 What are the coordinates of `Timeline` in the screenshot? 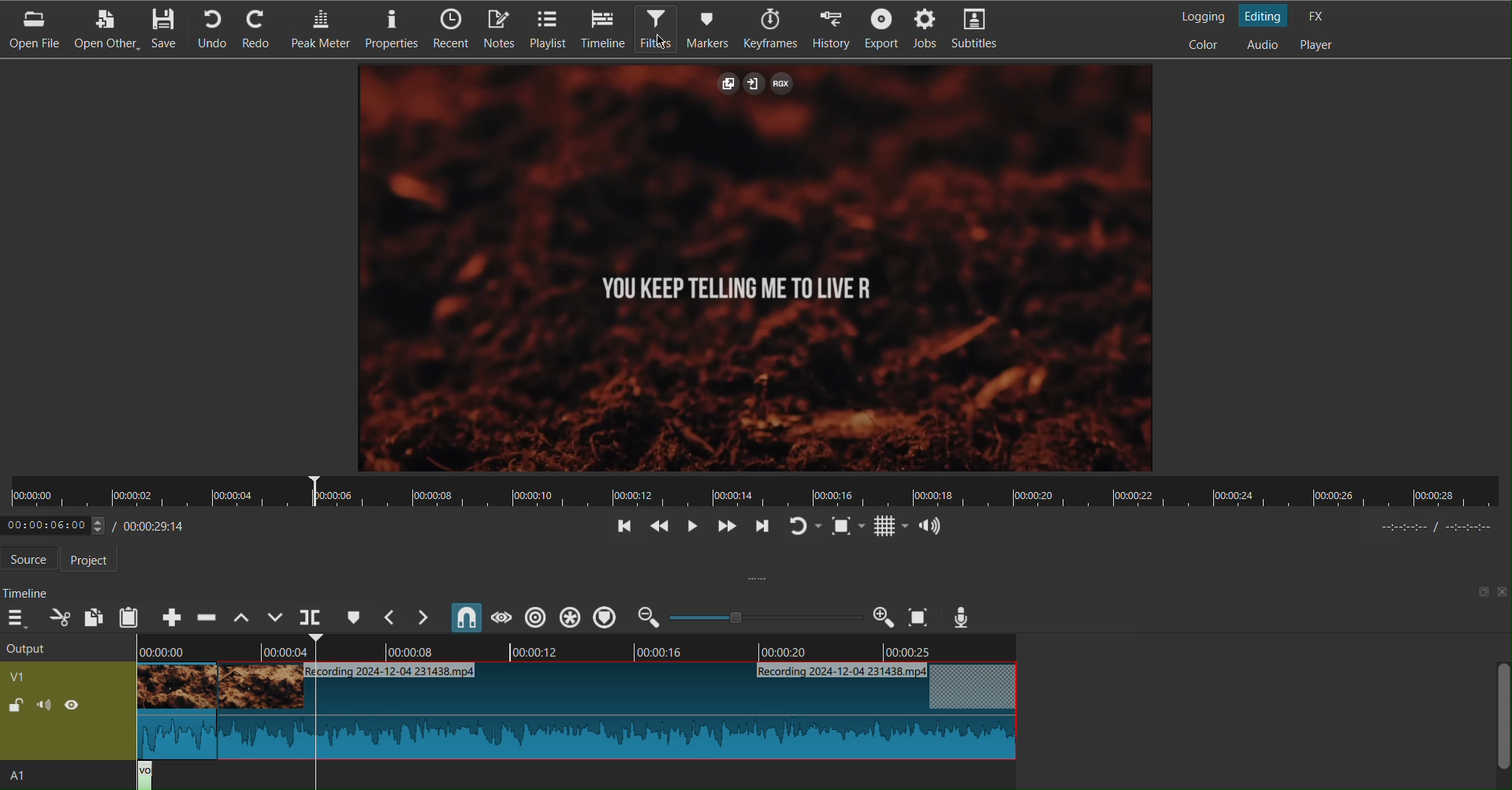 It's located at (602, 29).